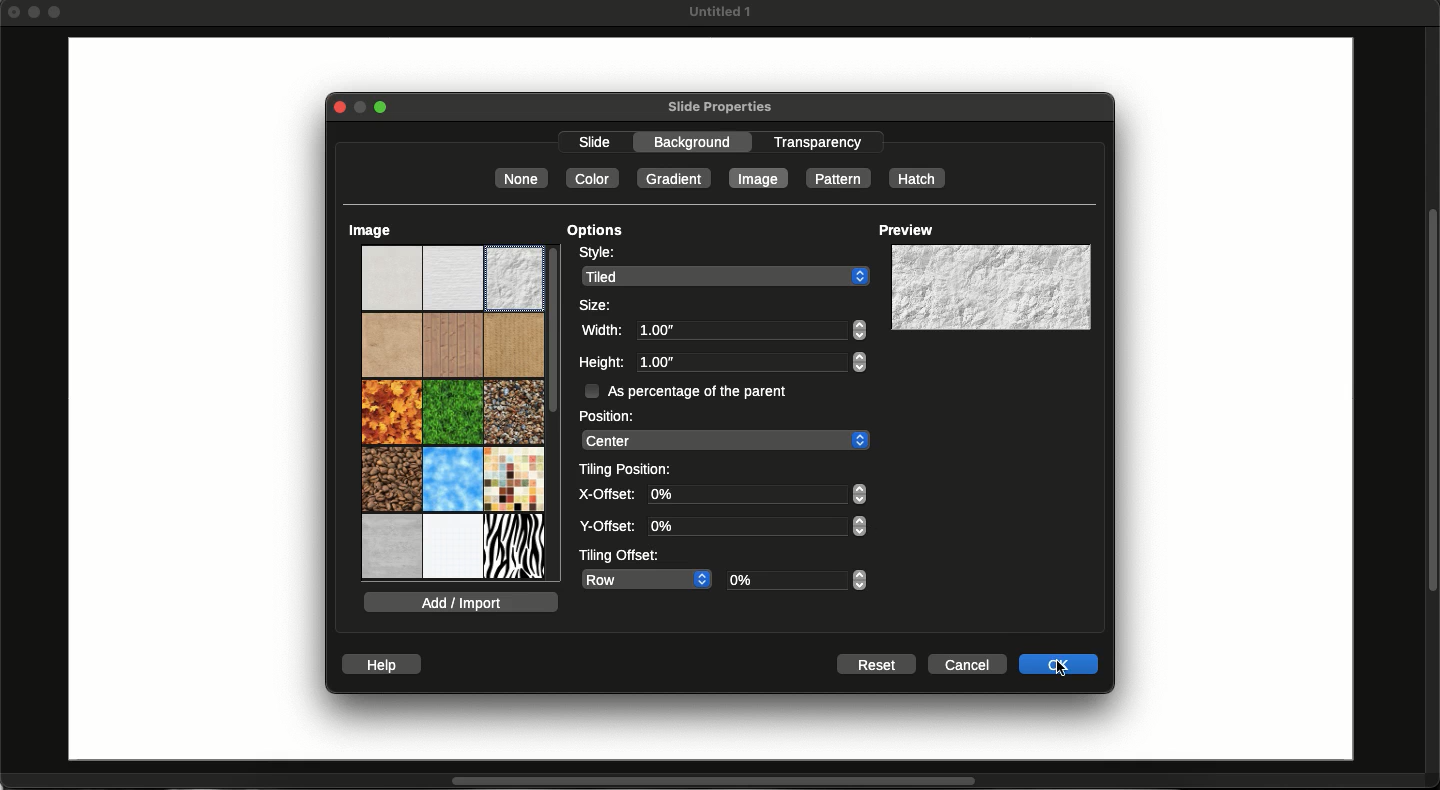  I want to click on 0%, so click(800, 580).